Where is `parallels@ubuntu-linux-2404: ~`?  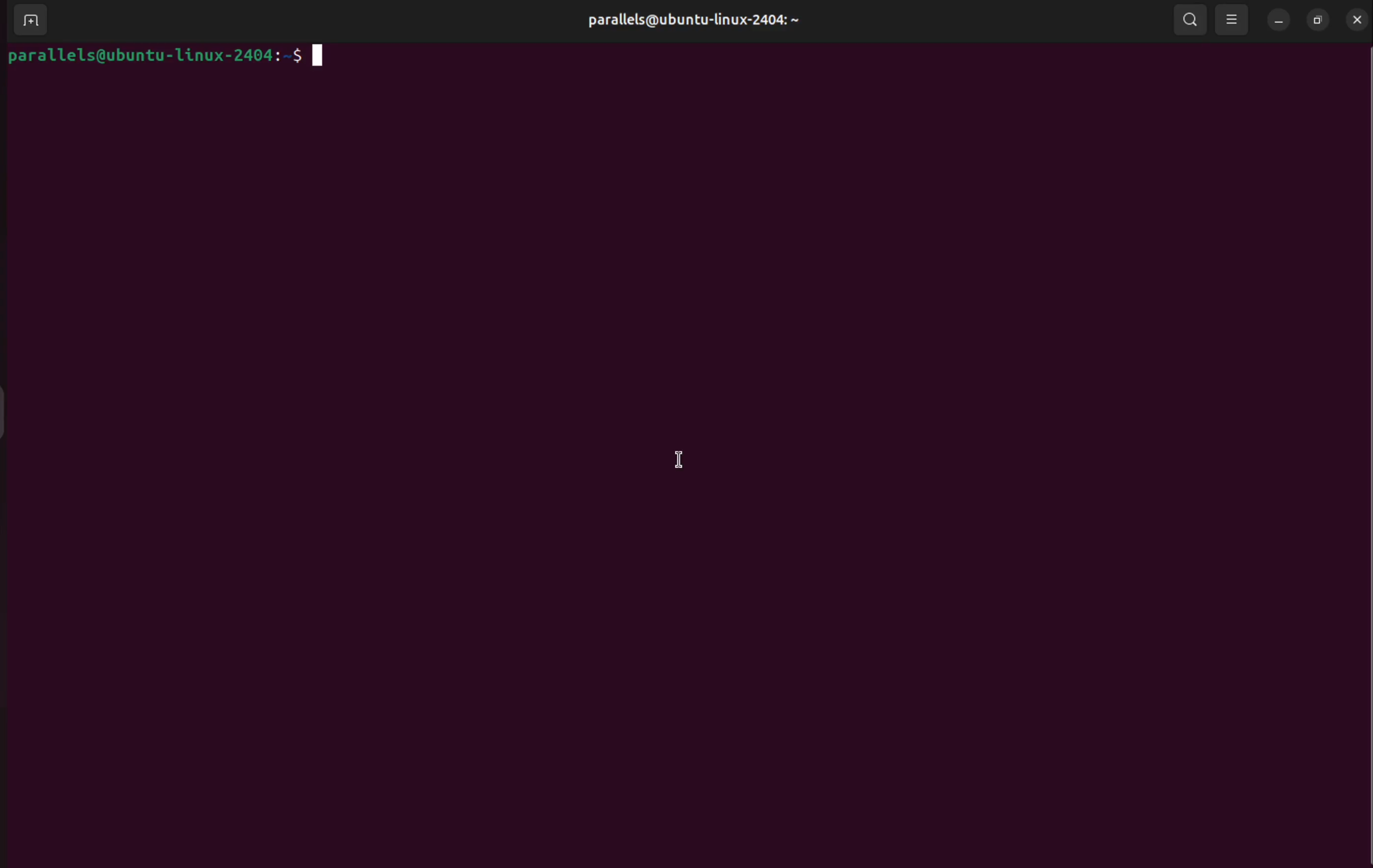 parallels@ubuntu-linux-2404: ~ is located at coordinates (690, 20).